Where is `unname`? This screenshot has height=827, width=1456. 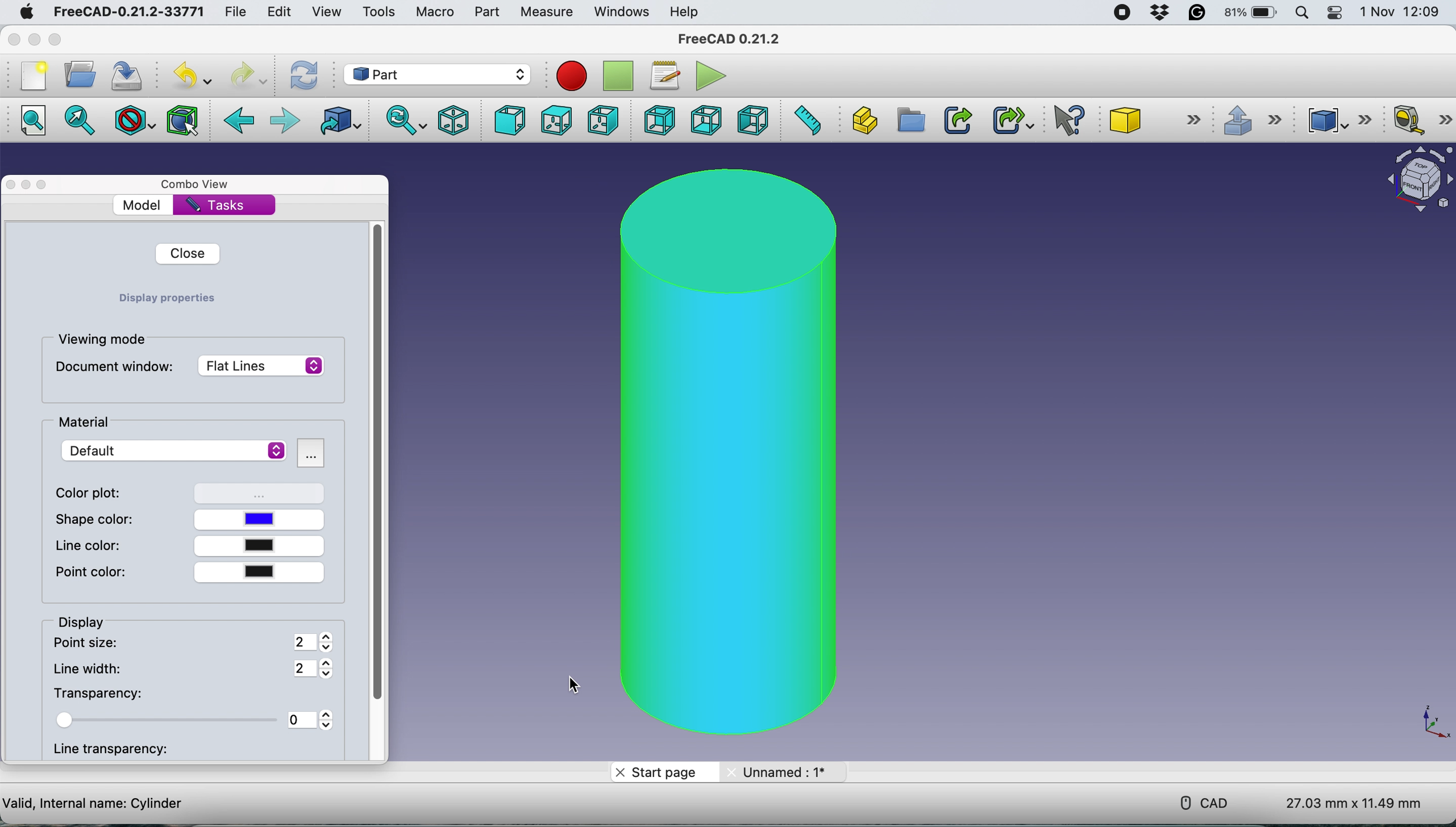 unname is located at coordinates (780, 773).